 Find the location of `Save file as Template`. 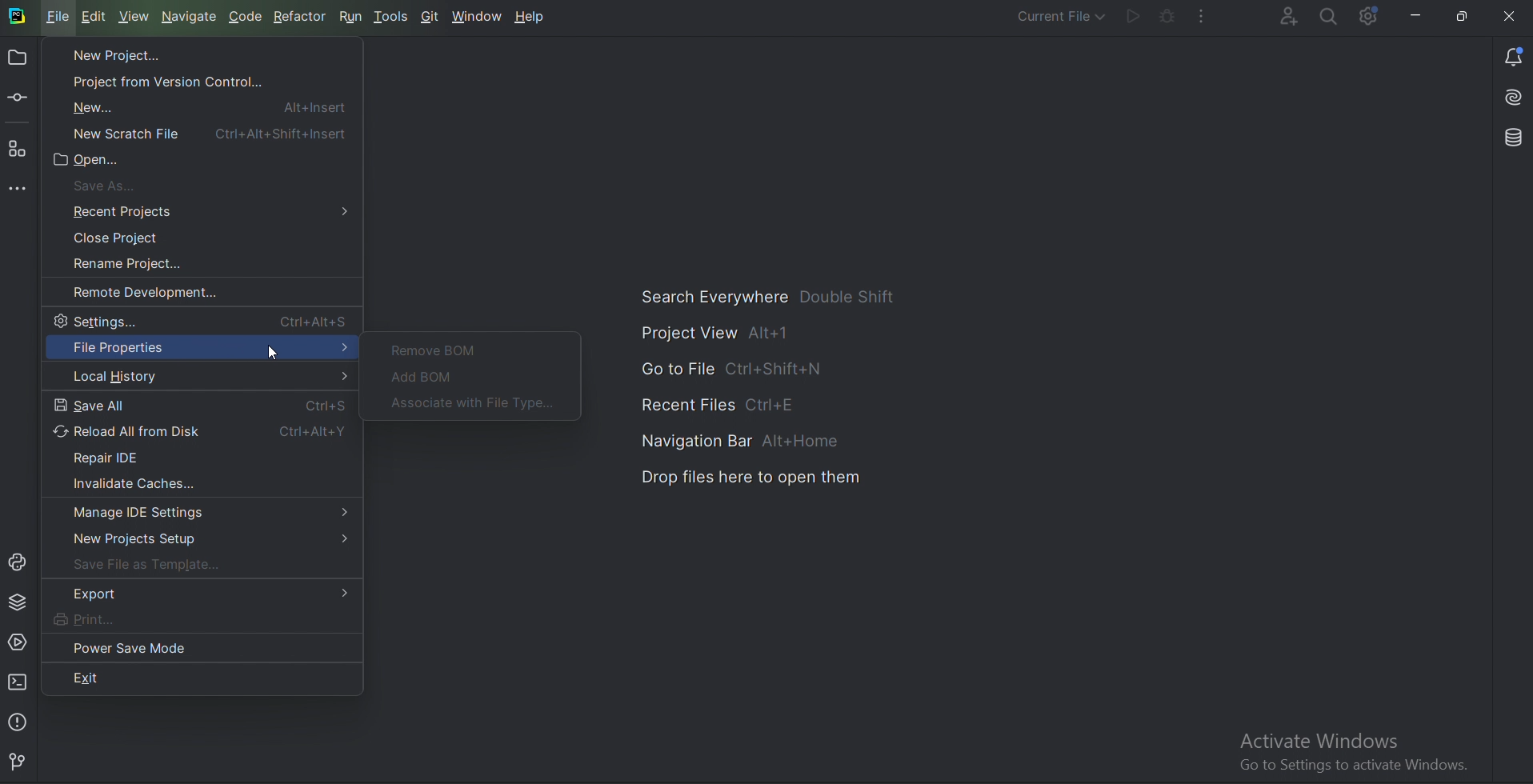

Save file as Template is located at coordinates (154, 566).